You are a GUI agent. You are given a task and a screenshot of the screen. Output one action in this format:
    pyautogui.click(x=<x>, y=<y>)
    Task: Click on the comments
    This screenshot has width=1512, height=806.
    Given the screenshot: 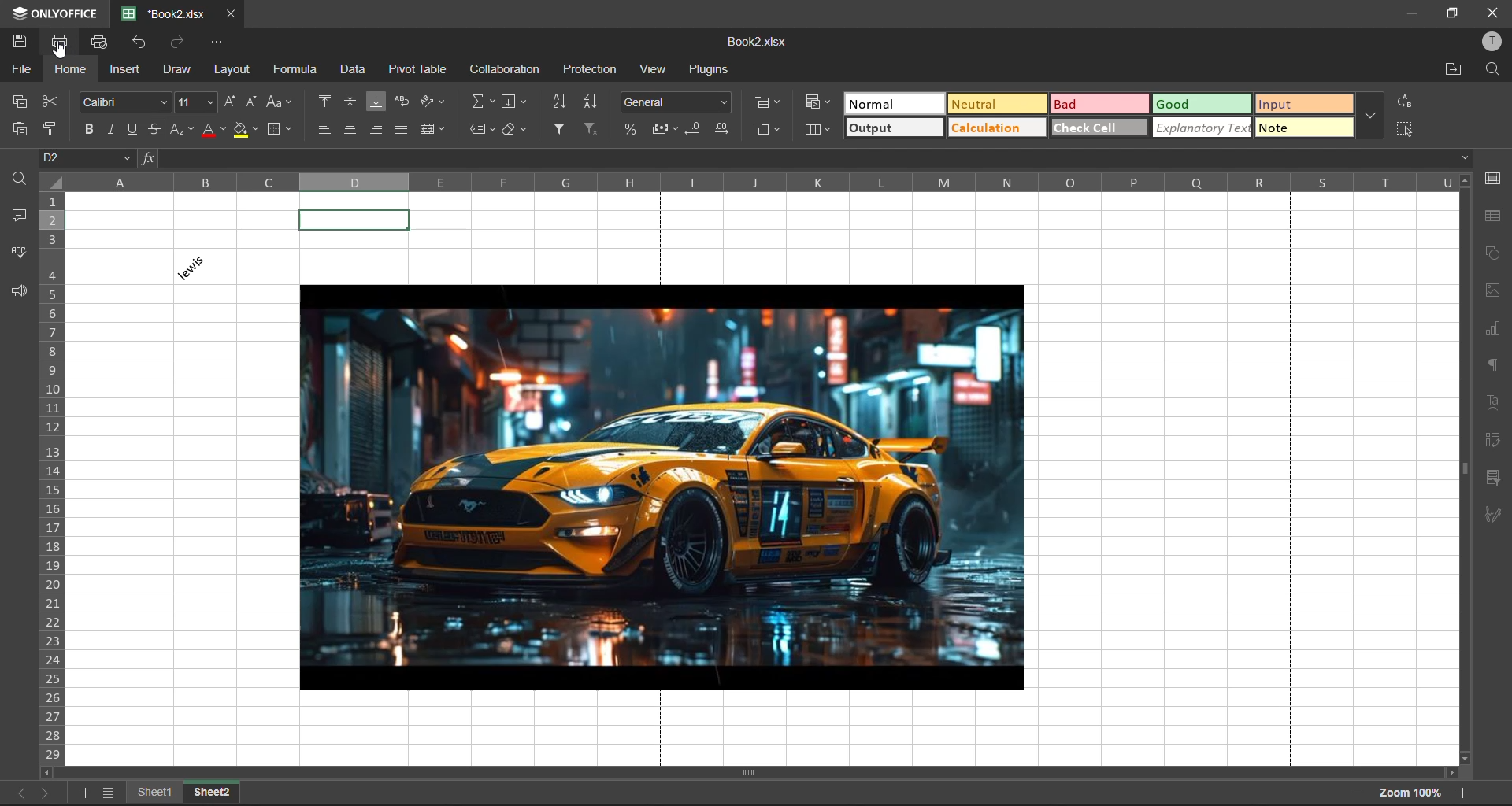 What is the action you would take?
    pyautogui.click(x=21, y=216)
    